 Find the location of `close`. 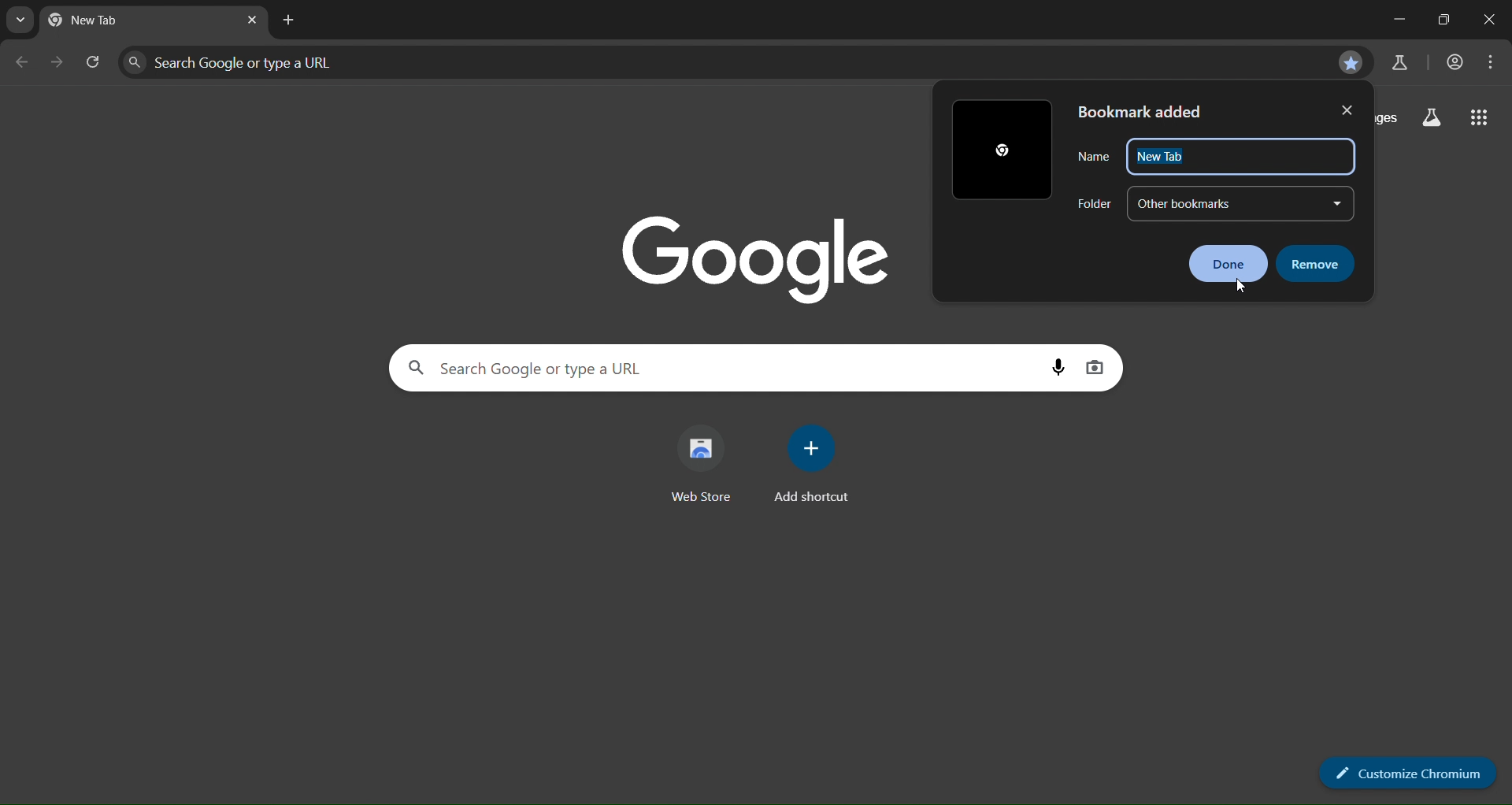

close is located at coordinates (1488, 17).